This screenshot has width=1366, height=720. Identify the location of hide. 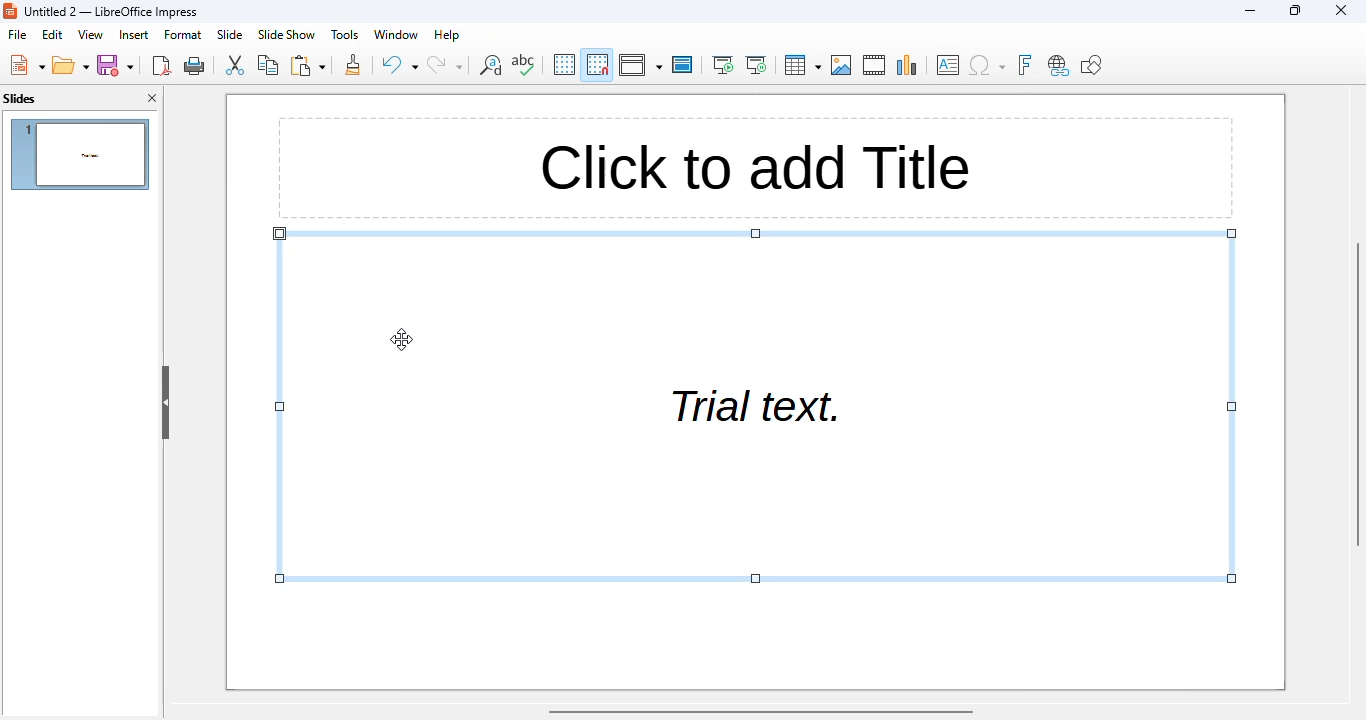
(165, 403).